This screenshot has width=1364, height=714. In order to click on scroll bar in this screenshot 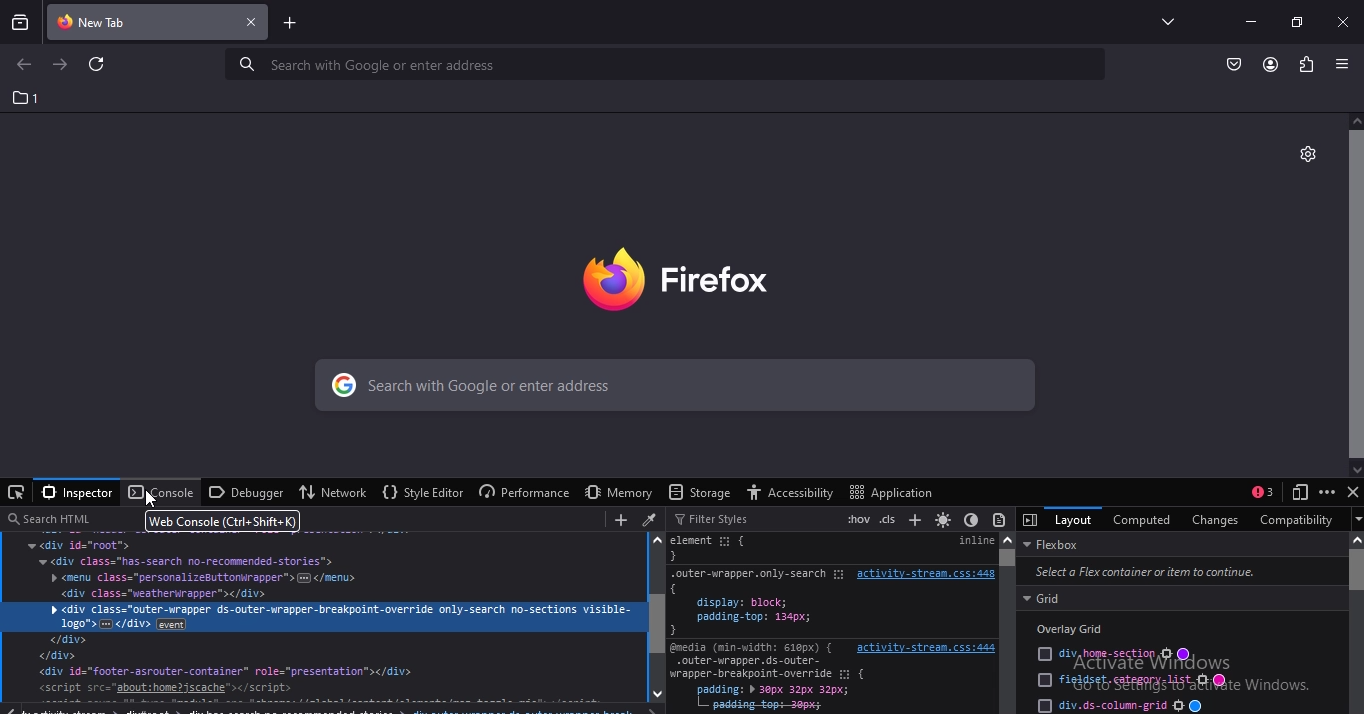, I will do `click(657, 618)`.